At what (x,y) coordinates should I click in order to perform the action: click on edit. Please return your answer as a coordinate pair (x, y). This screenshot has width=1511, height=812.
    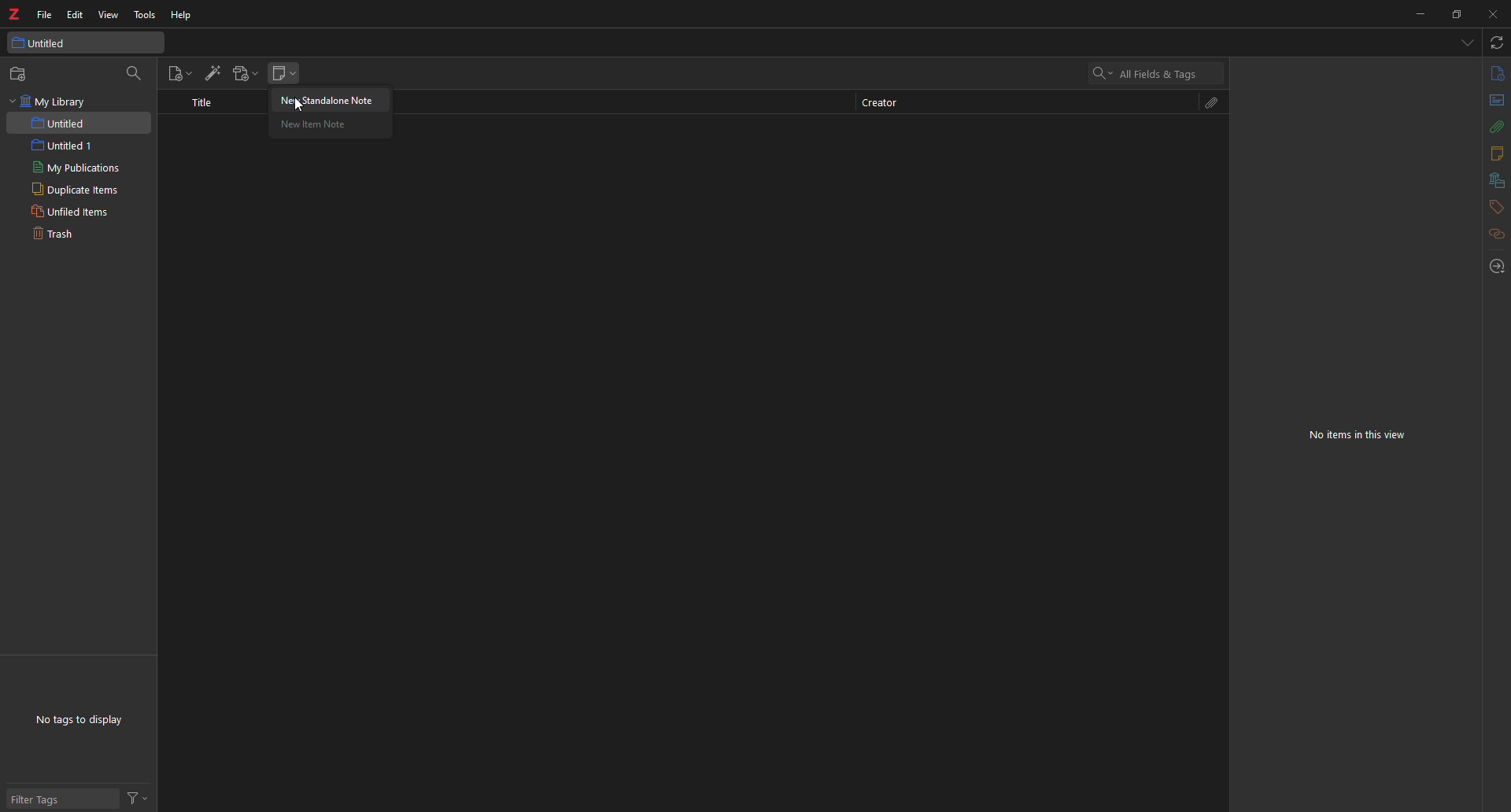
    Looking at the image, I should click on (77, 14).